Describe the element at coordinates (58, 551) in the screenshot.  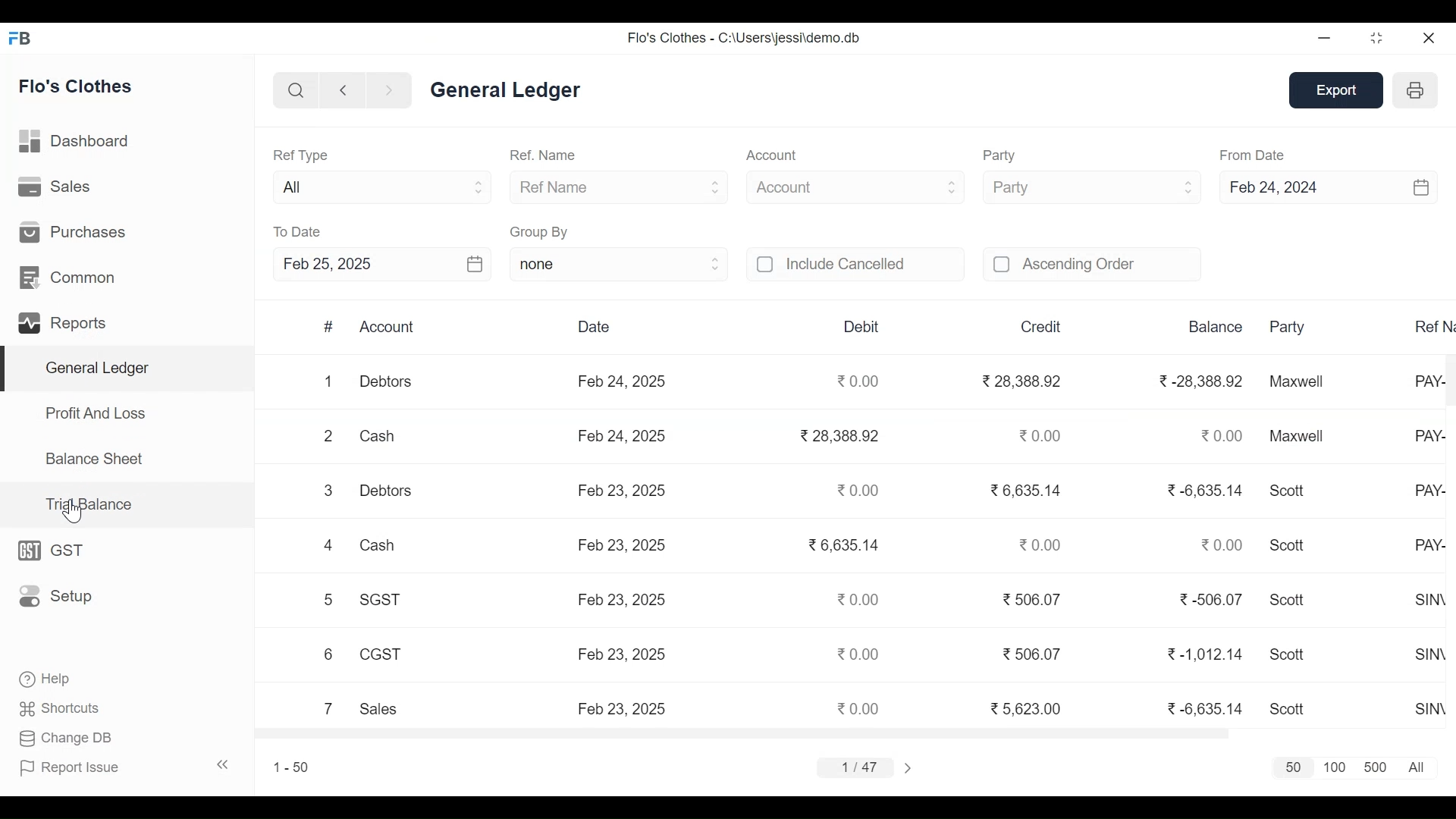
I see `GST` at that location.